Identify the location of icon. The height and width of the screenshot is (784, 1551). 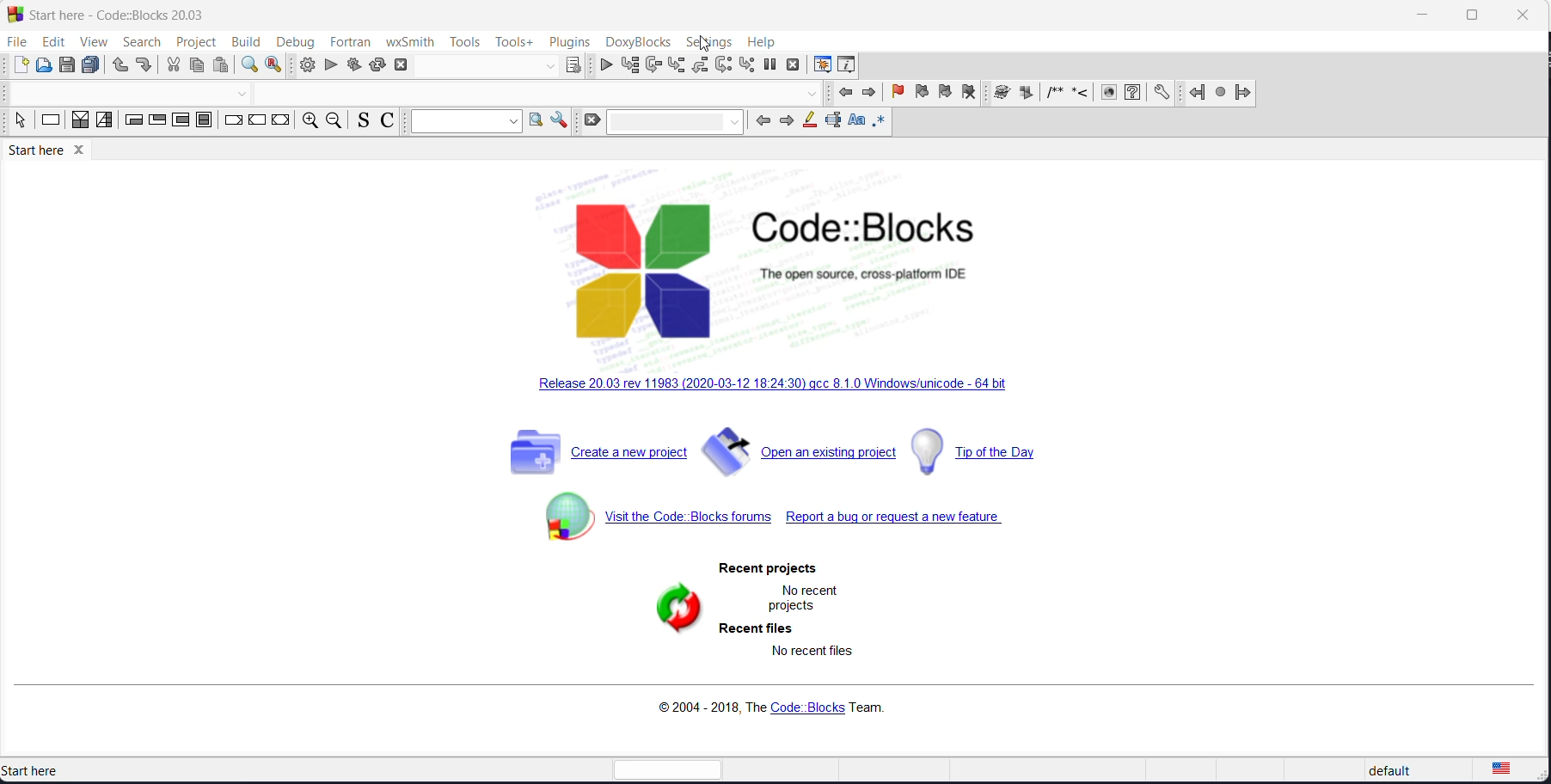
(1081, 95).